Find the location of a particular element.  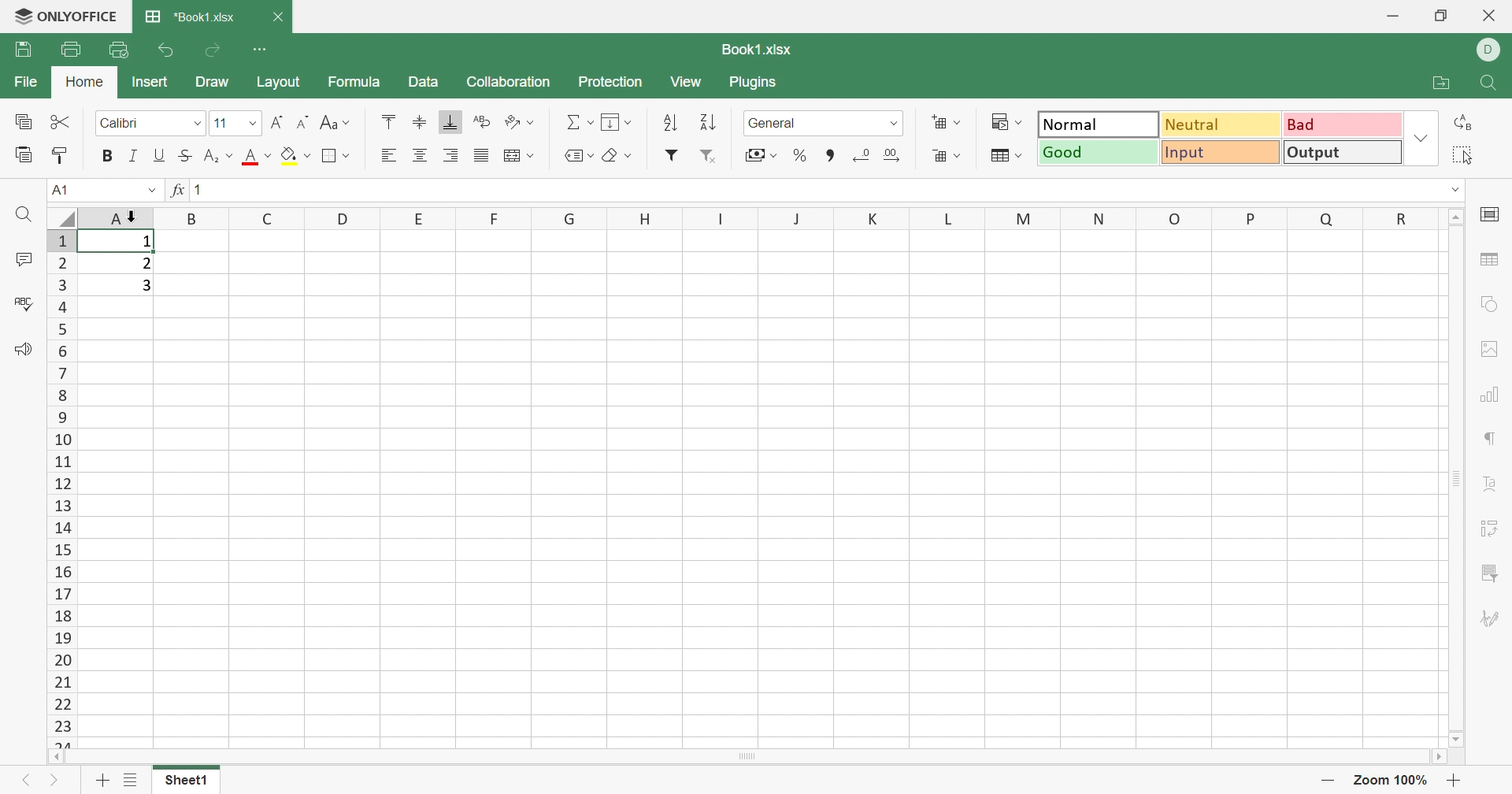

Close is located at coordinates (1491, 15).